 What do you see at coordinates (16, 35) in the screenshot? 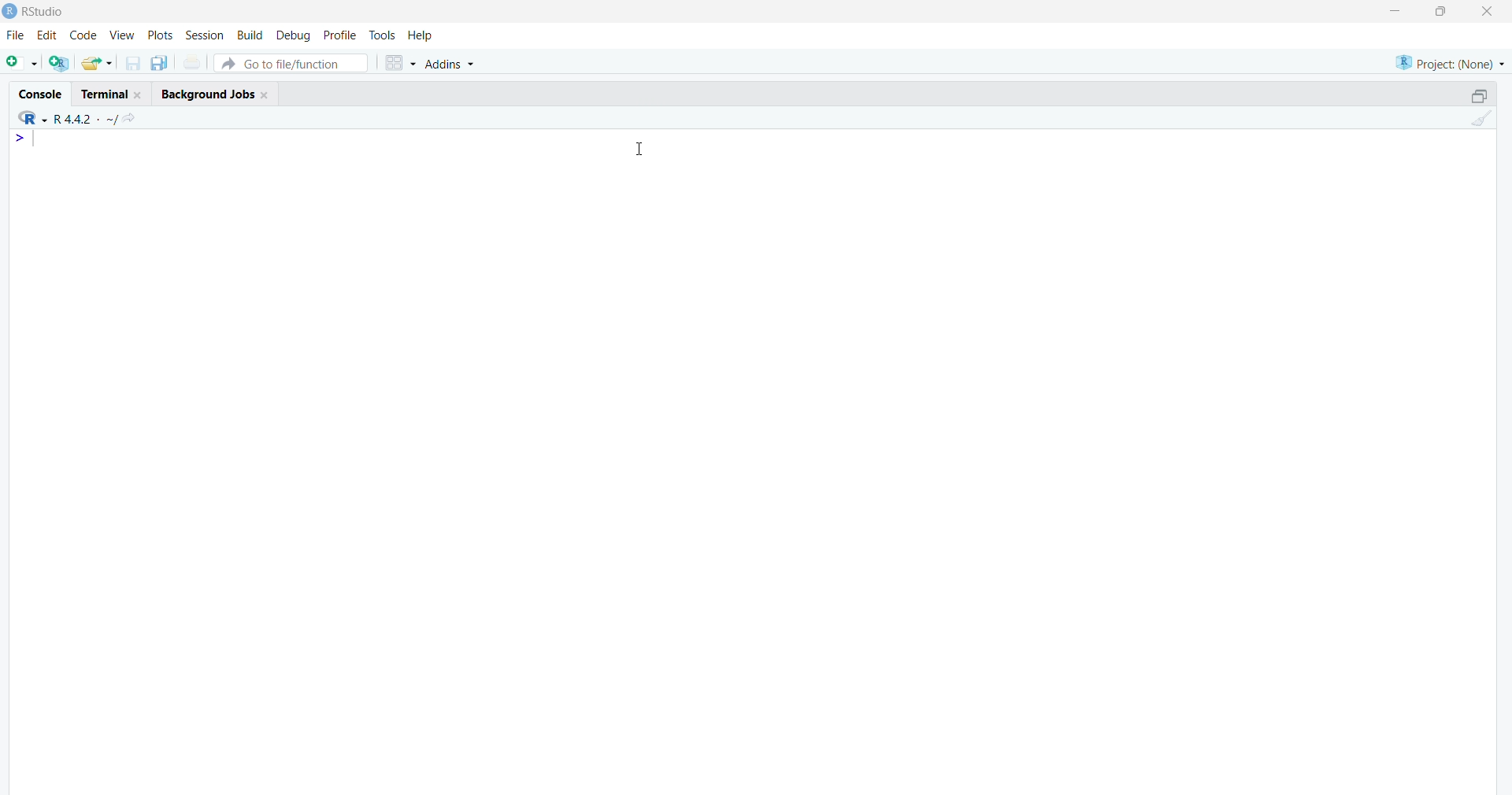
I see `File` at bounding box center [16, 35].